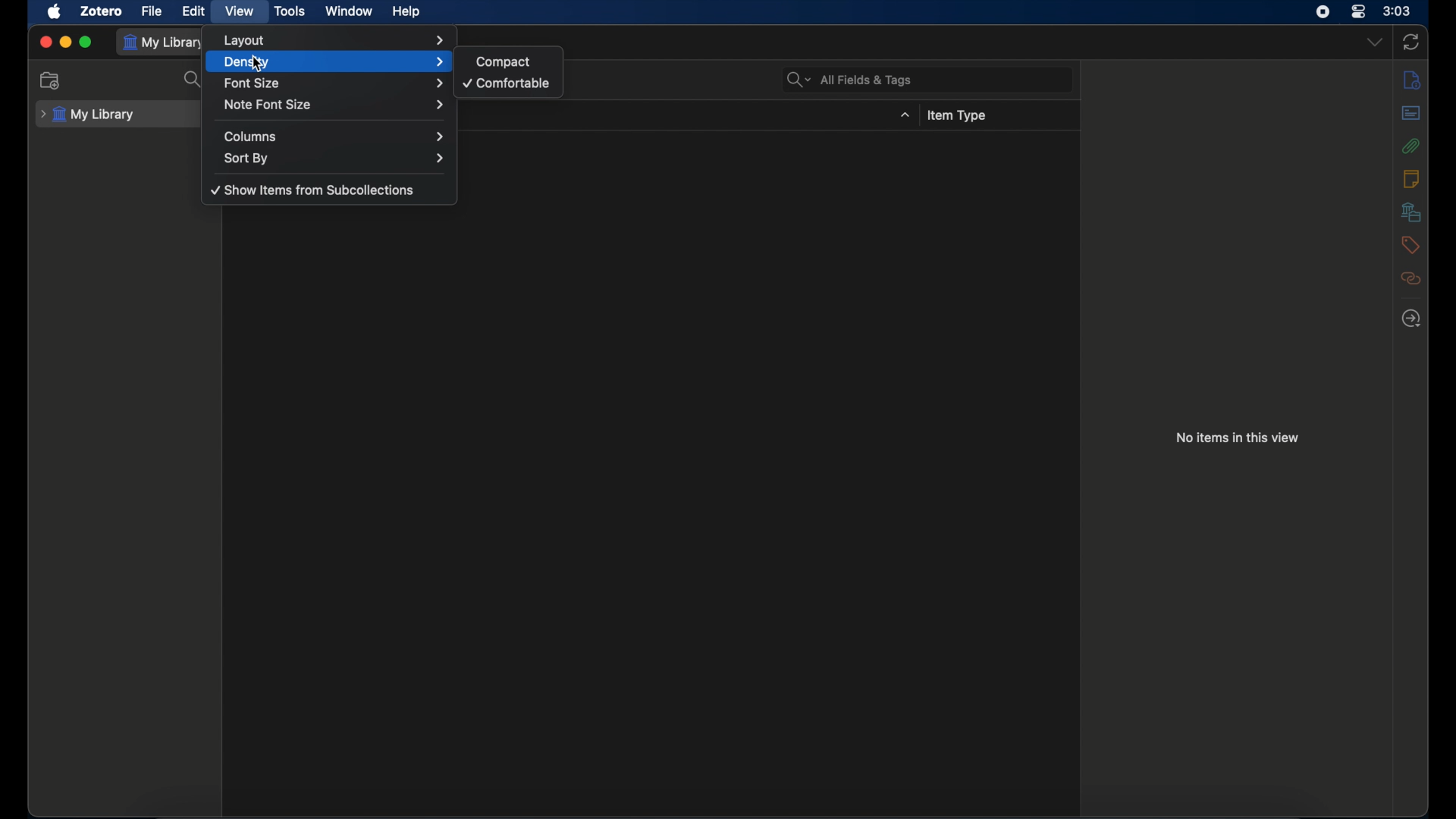 This screenshot has height=819, width=1456. I want to click on attachments, so click(1411, 146).